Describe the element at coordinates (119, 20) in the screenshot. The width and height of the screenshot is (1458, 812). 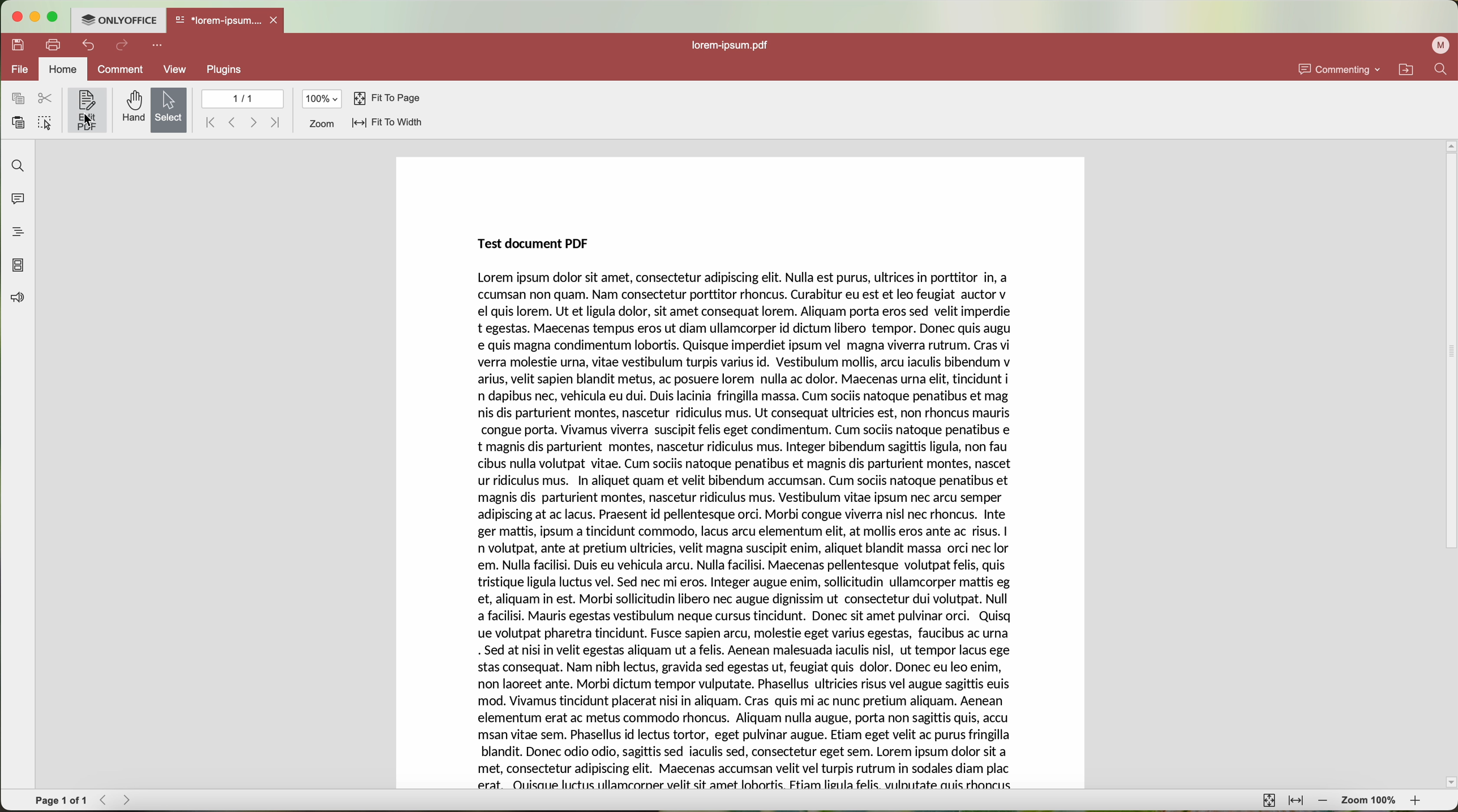
I see `ONLYOFFICE` at that location.